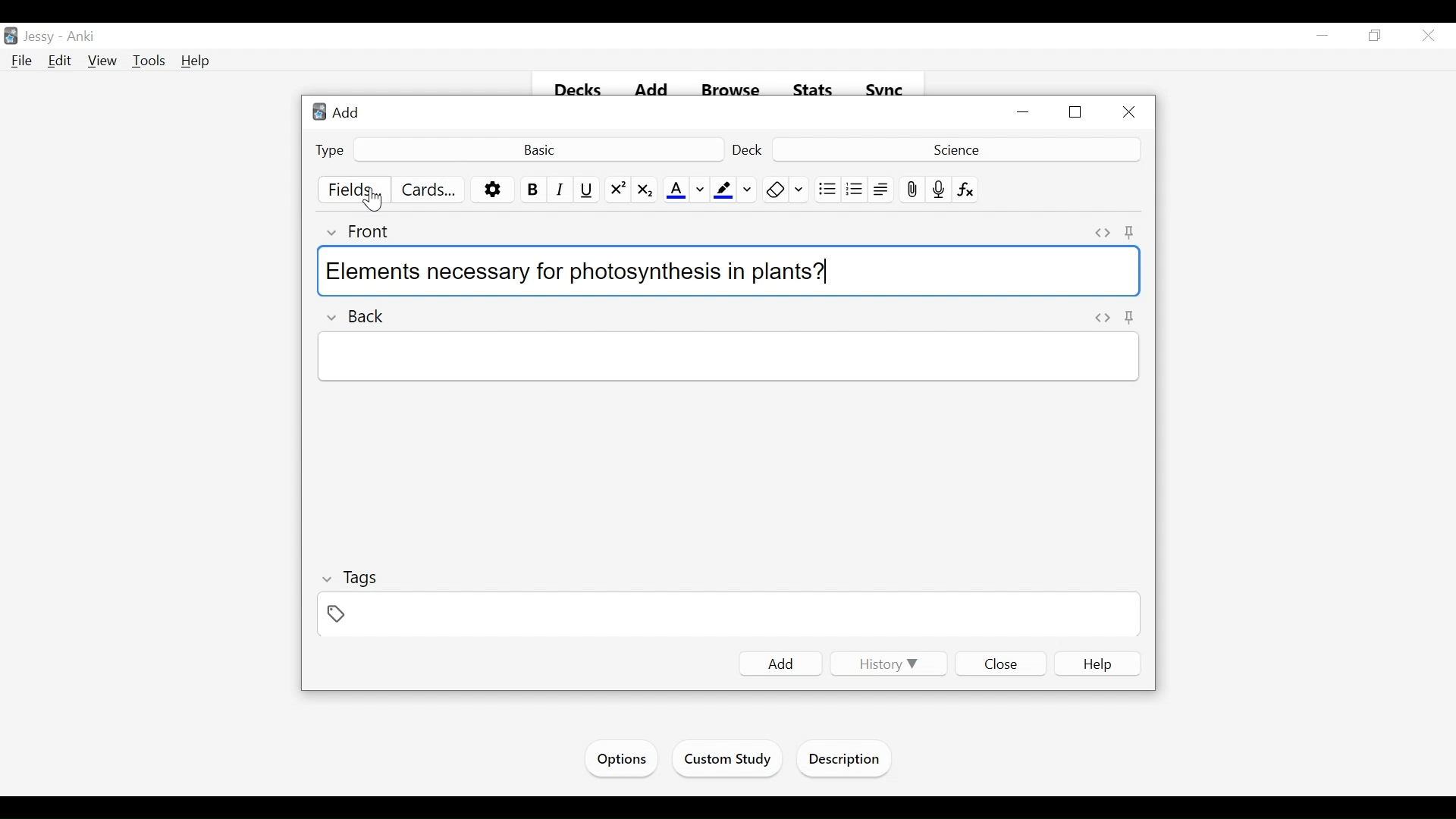  Describe the element at coordinates (700, 190) in the screenshot. I see `Change color` at that location.